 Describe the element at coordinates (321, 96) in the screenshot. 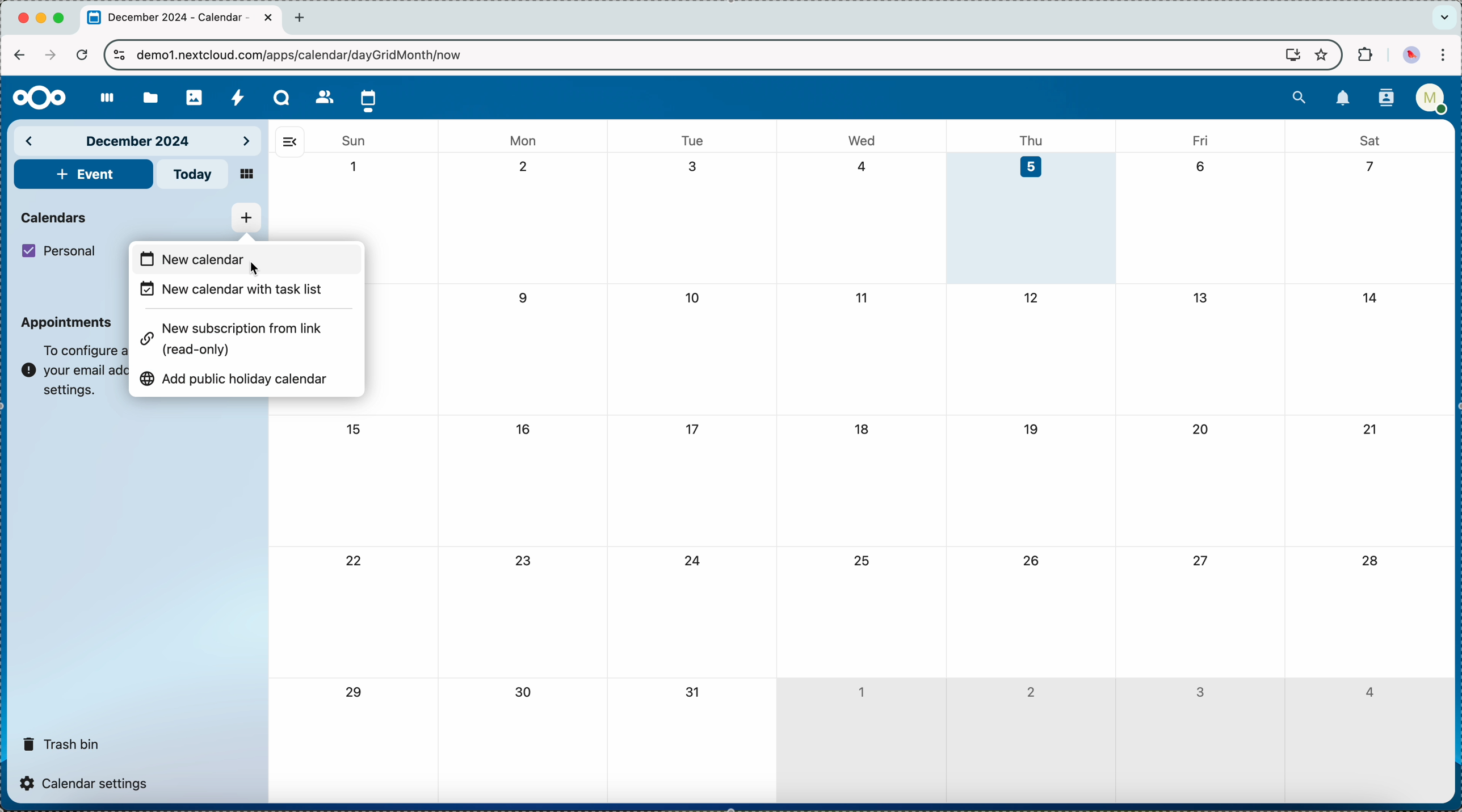

I see `contacts` at that location.